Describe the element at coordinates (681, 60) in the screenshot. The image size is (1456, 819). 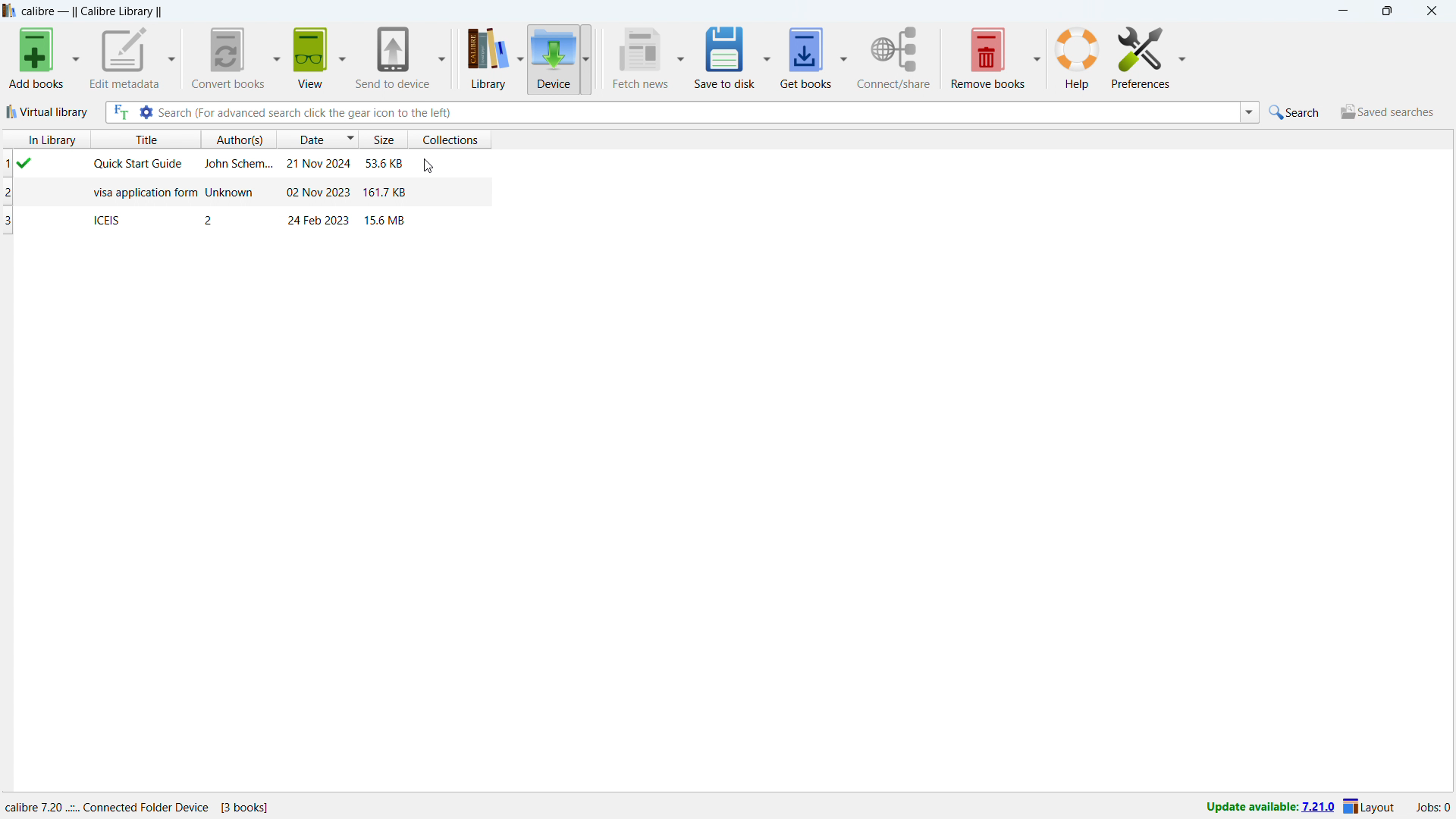
I see `fetch news options` at that location.